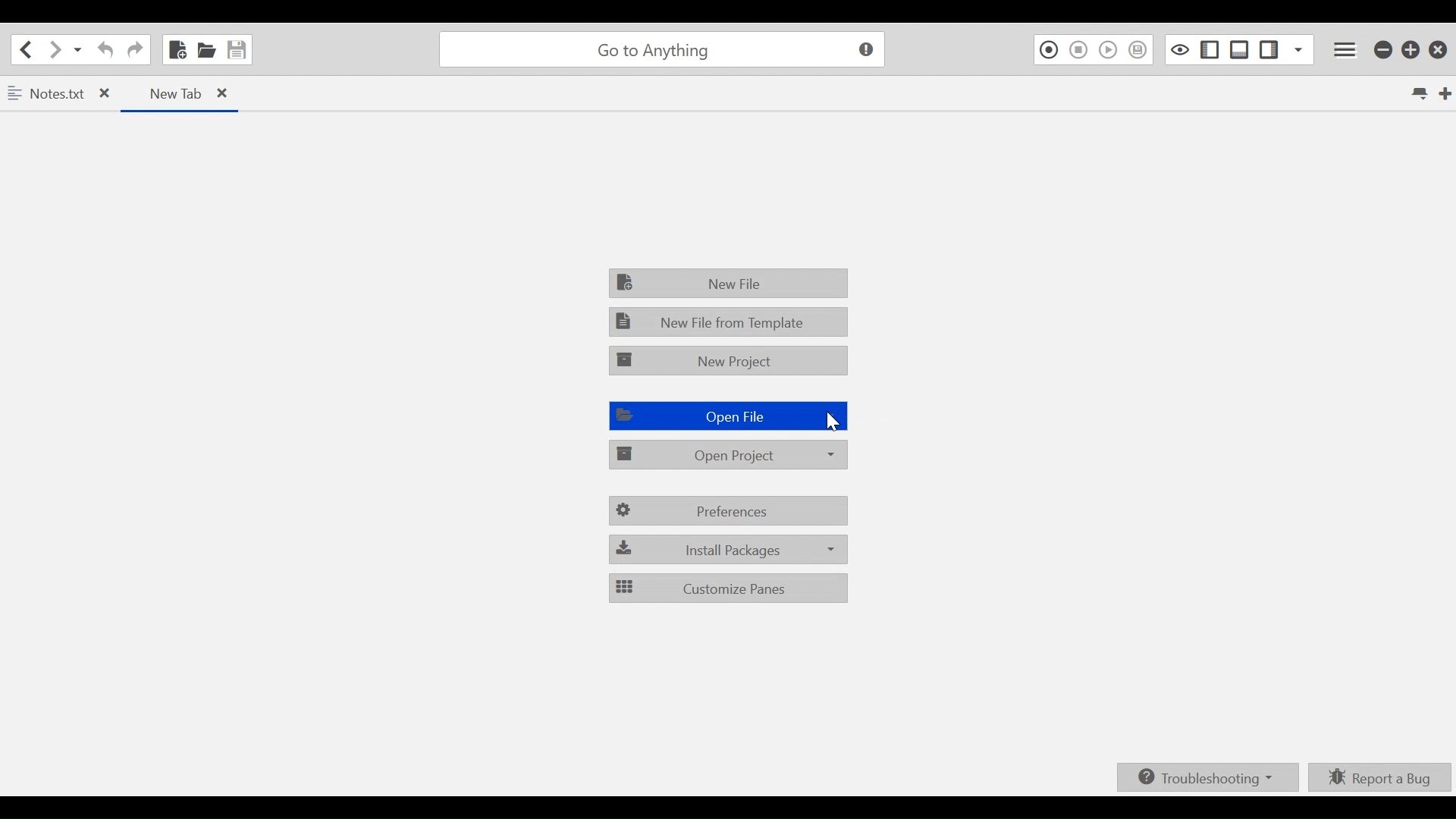 This screenshot has height=819, width=1456. What do you see at coordinates (60, 96) in the screenshot?
I see `Notes.txt` at bounding box center [60, 96].